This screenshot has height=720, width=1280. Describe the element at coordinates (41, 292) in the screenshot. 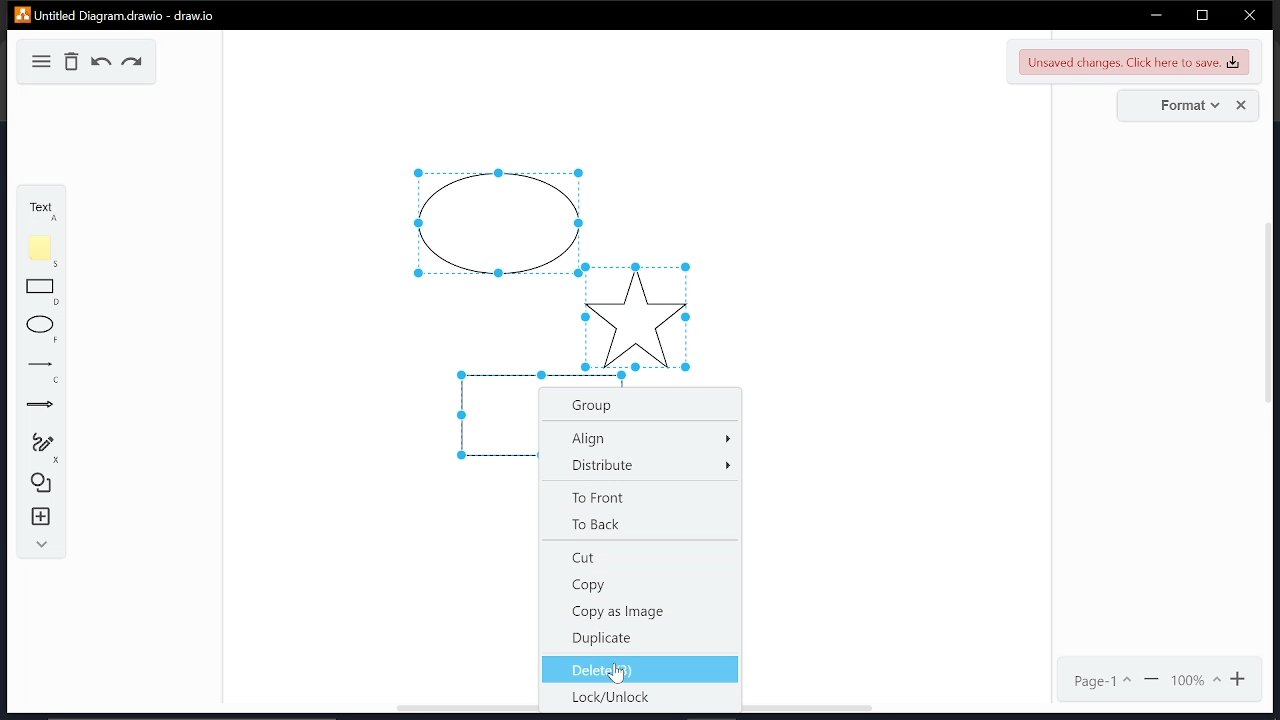

I see `rectangle` at that location.